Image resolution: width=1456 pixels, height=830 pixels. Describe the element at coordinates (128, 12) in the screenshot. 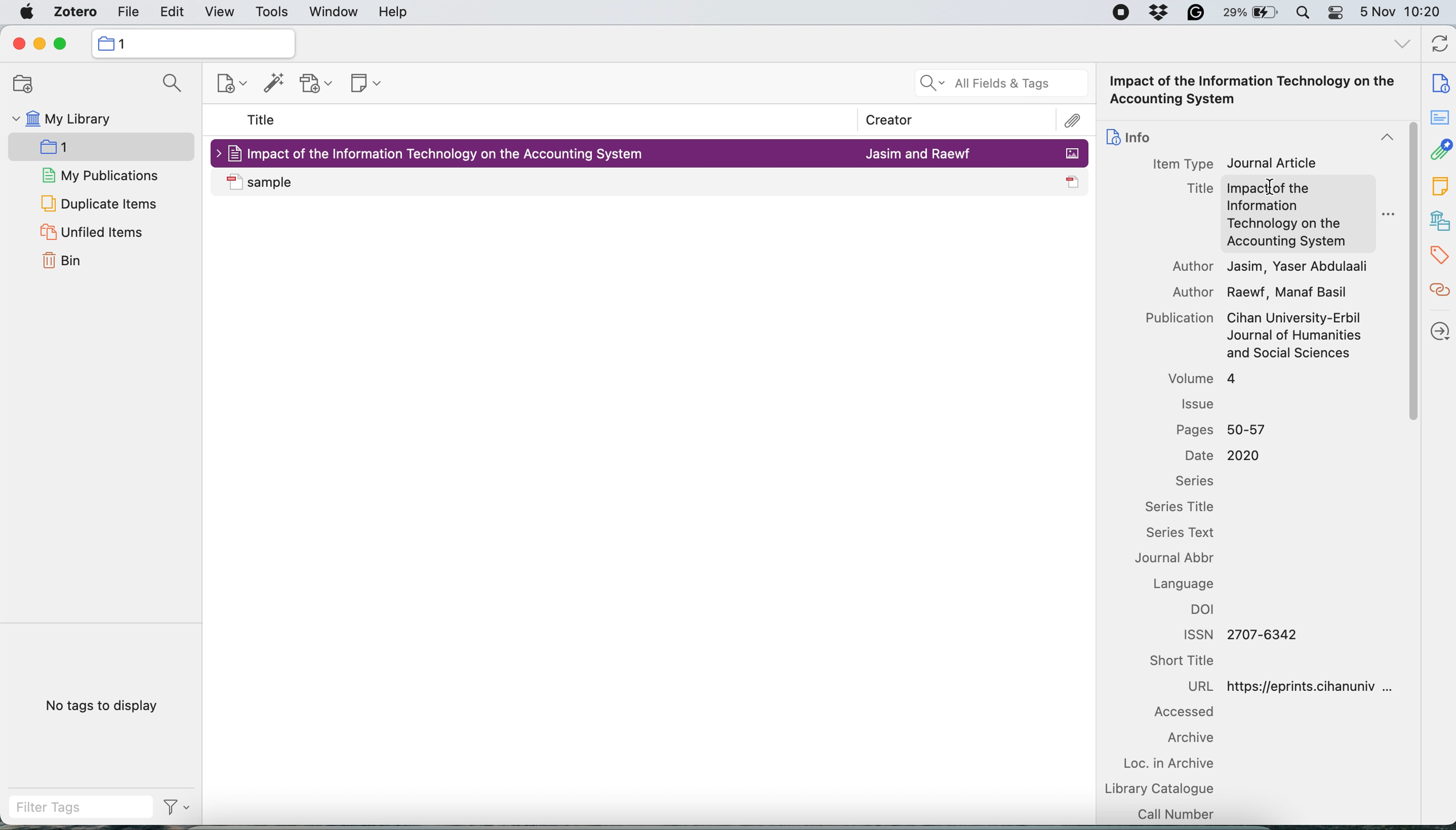

I see `file` at that location.